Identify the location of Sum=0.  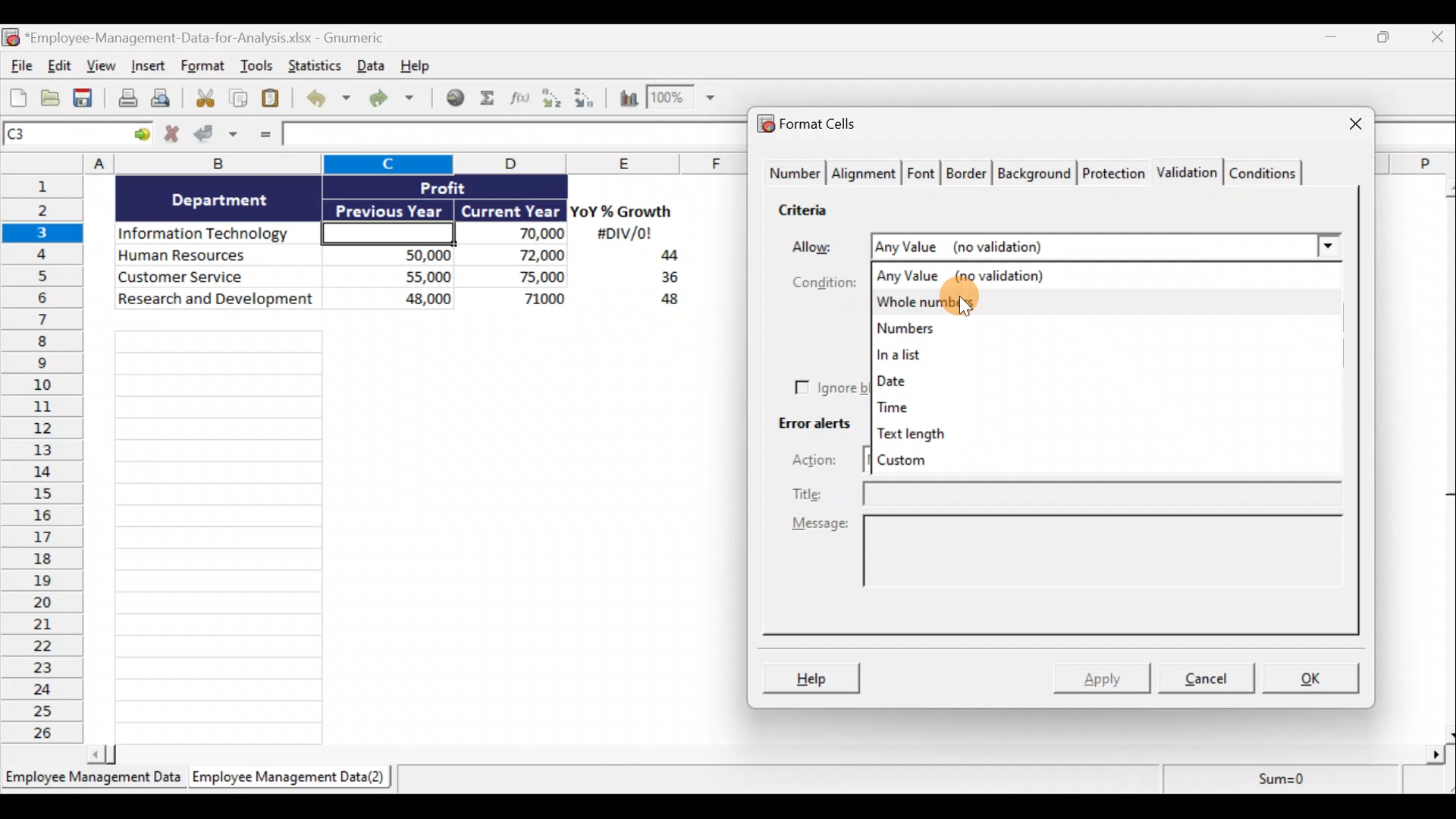
(1275, 783).